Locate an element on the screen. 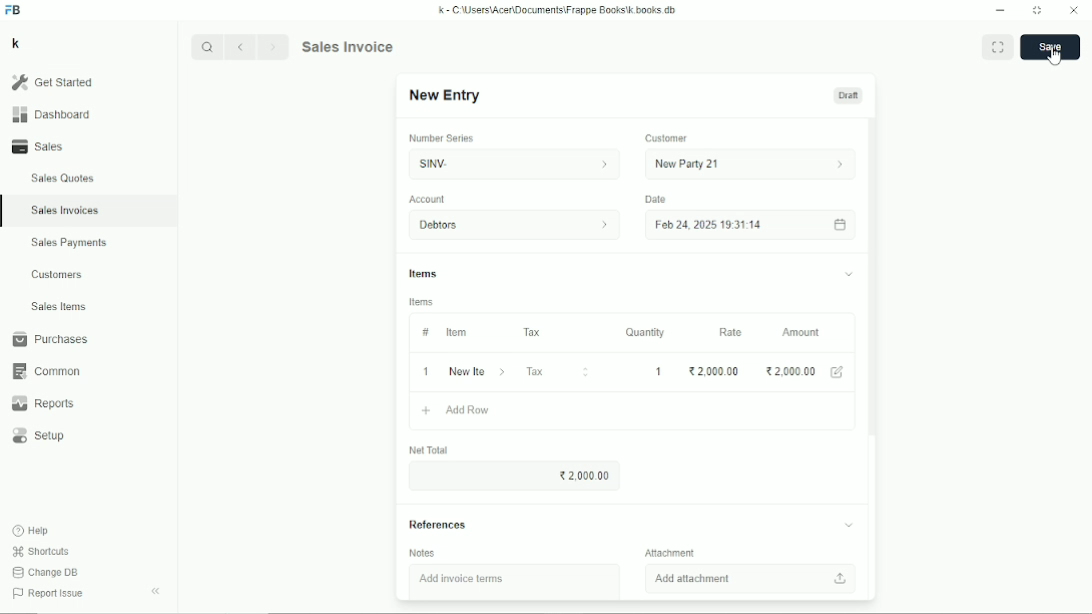 This screenshot has width=1092, height=614. Dashboard is located at coordinates (51, 114).